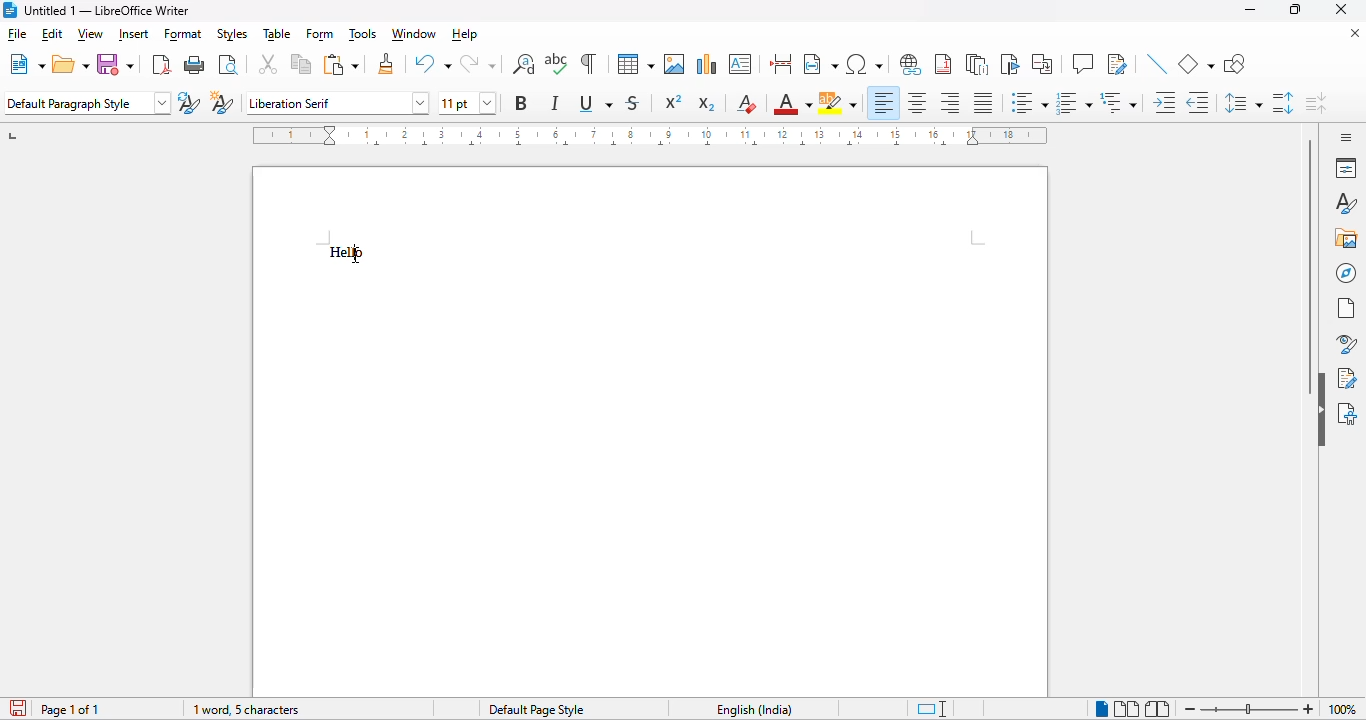 The width and height of the screenshot is (1366, 720). I want to click on hide, so click(1321, 409).